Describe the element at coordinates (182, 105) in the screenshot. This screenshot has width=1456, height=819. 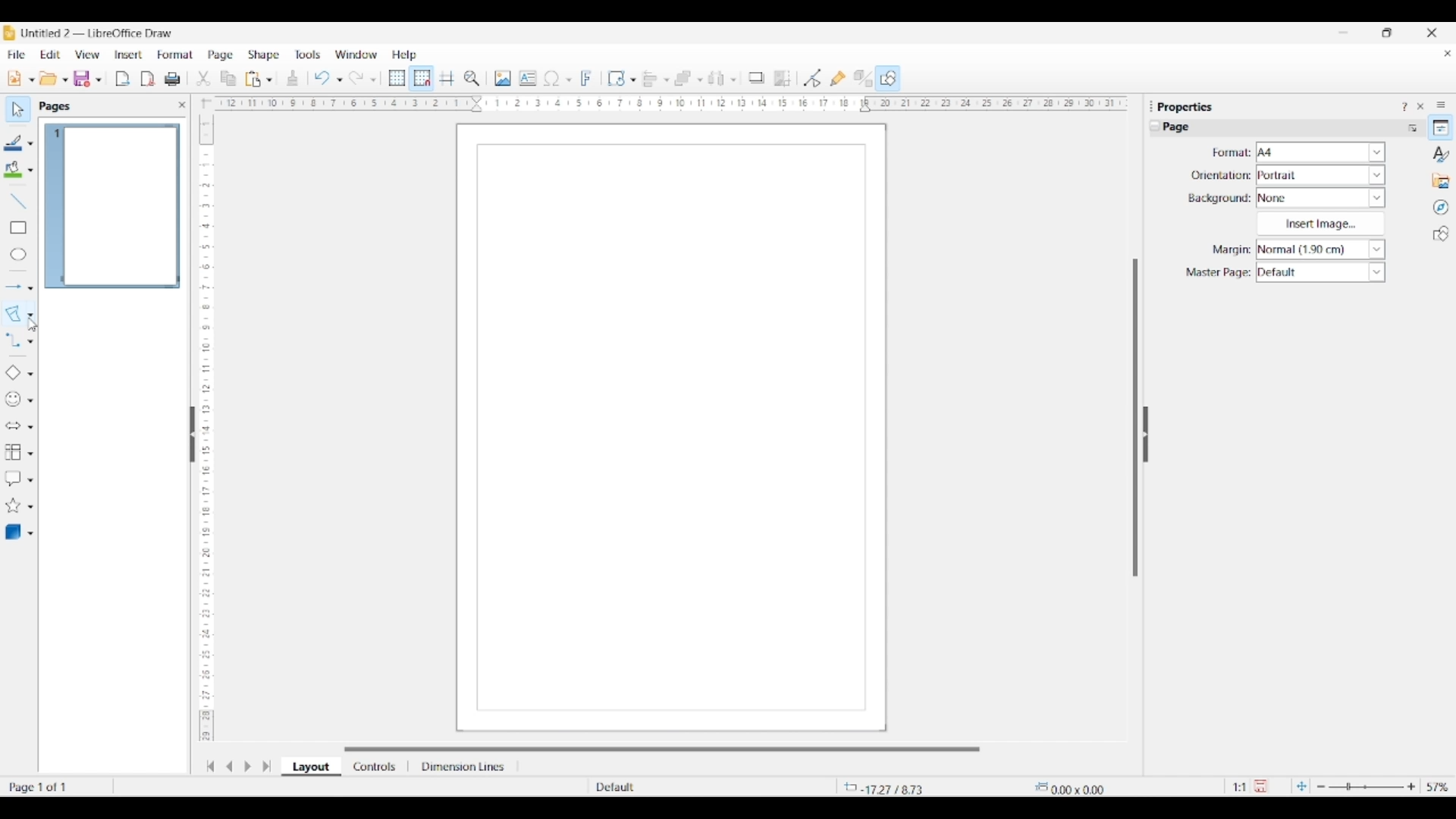
I see `Close left sidebar` at that location.